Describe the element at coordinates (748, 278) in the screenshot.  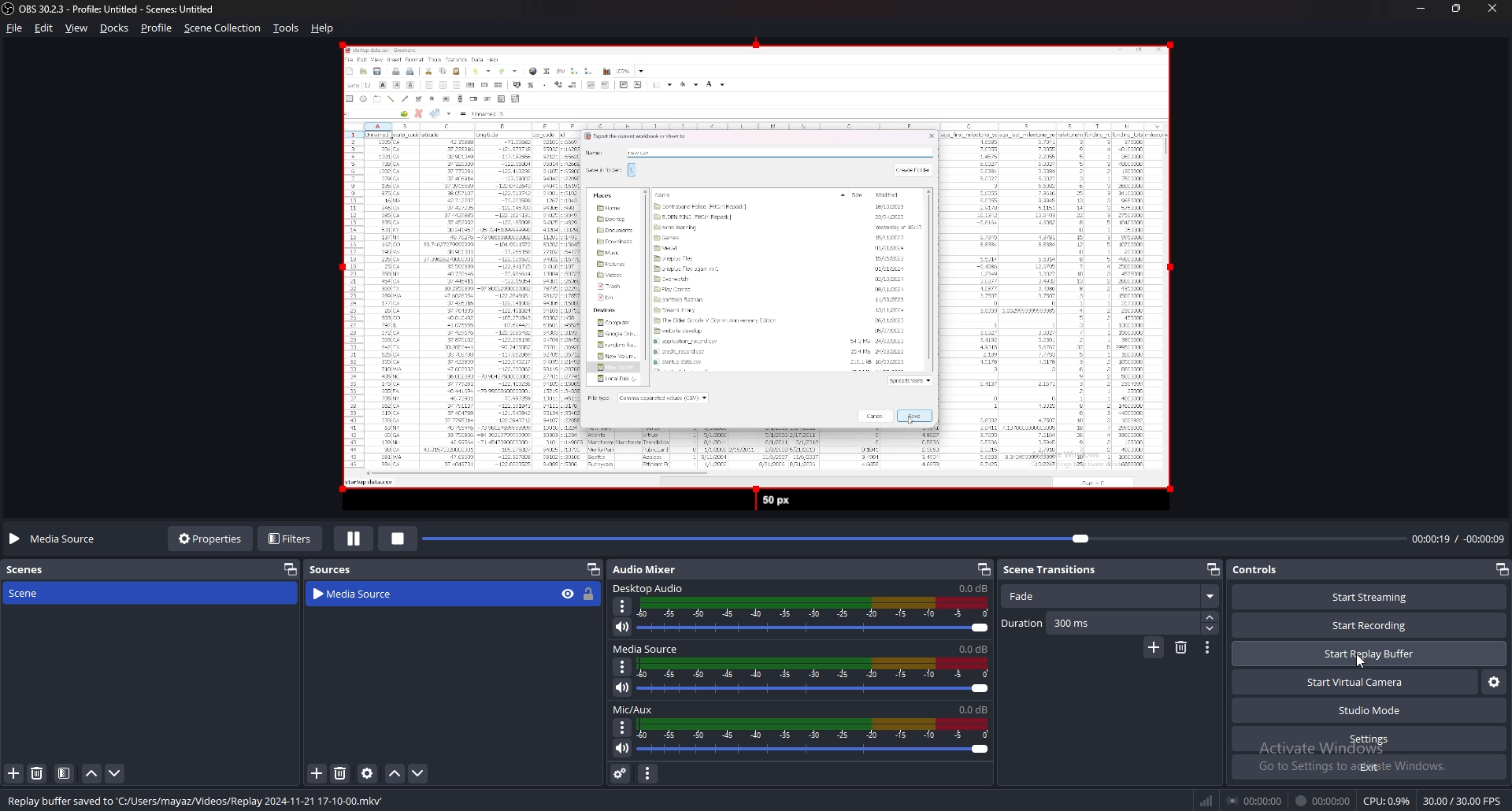
I see `media` at that location.